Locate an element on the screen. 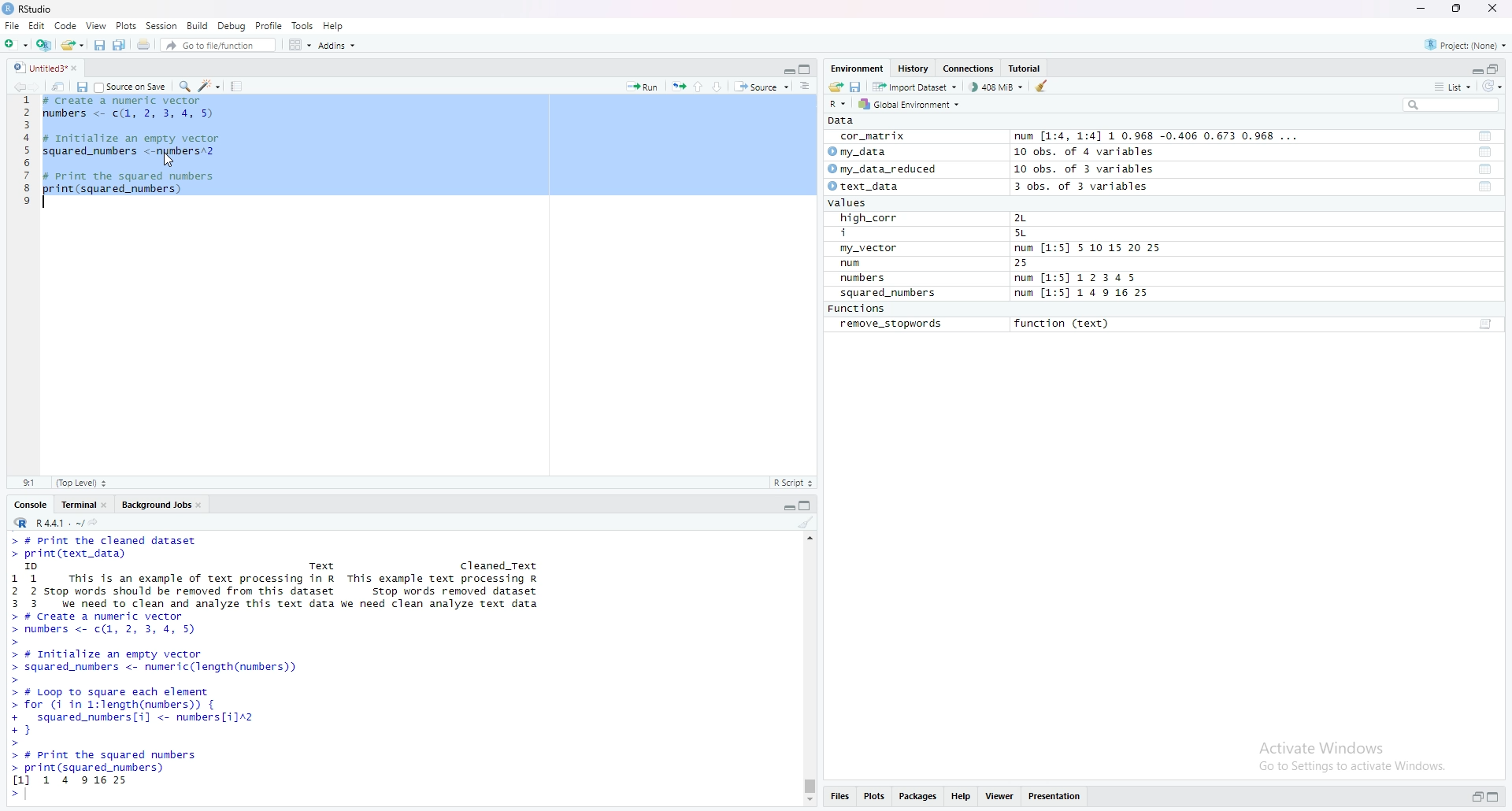 This screenshot has height=811, width=1512. Debug is located at coordinates (232, 25).